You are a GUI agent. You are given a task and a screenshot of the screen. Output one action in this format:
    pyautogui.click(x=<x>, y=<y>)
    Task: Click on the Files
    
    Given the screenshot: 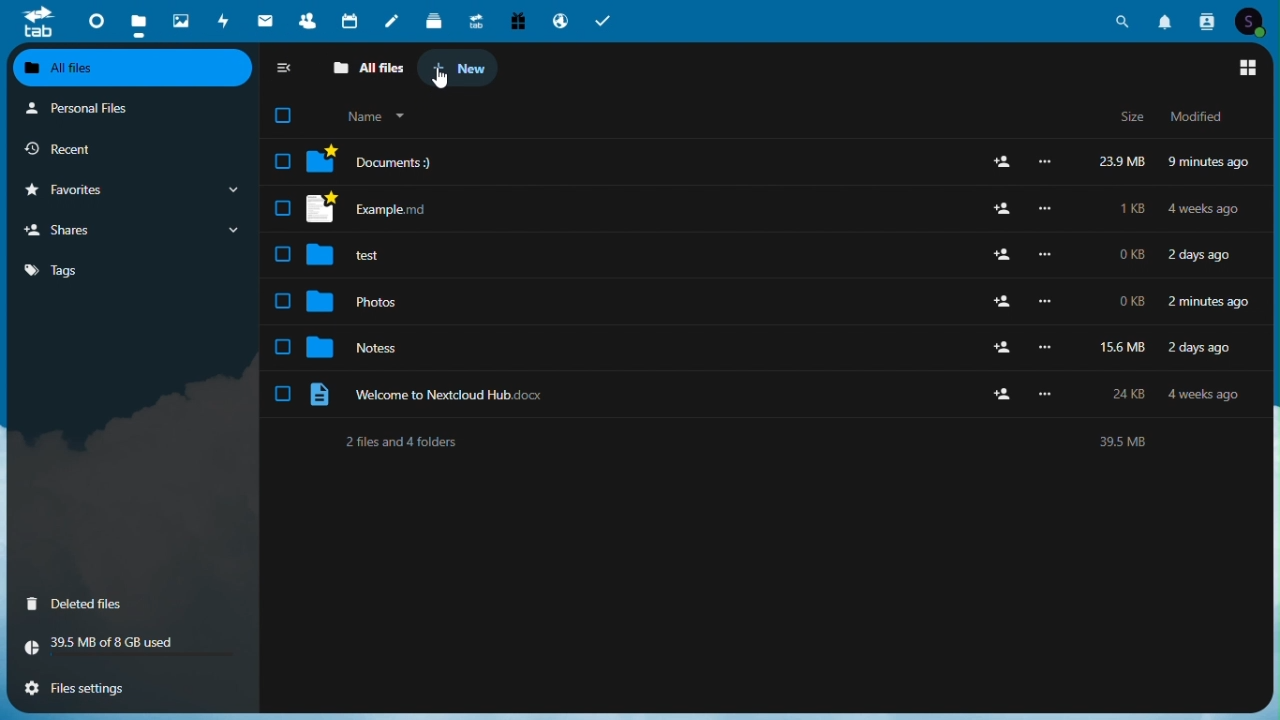 What is the action you would take?
    pyautogui.click(x=780, y=257)
    